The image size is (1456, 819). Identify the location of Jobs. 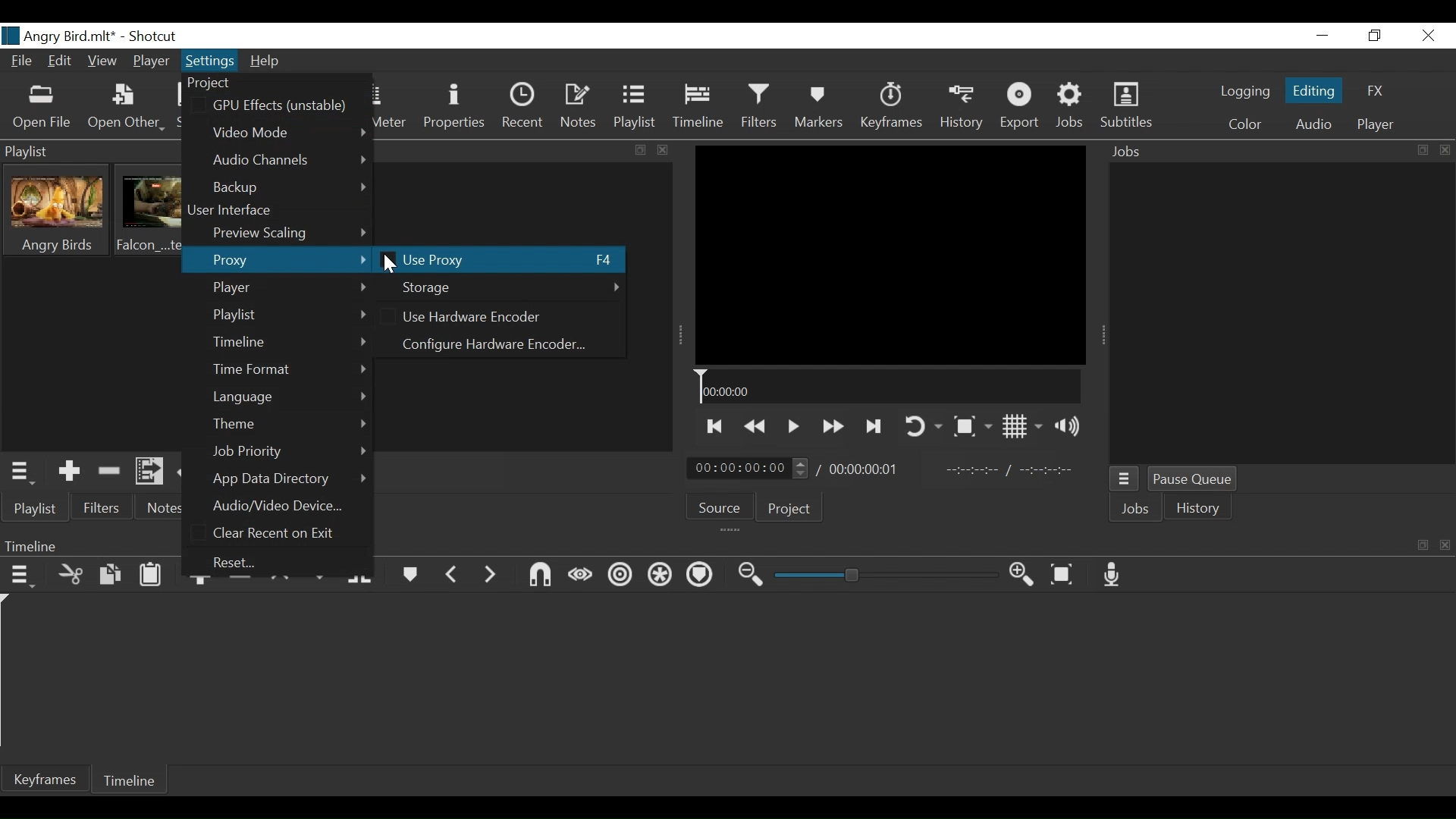
(1072, 106).